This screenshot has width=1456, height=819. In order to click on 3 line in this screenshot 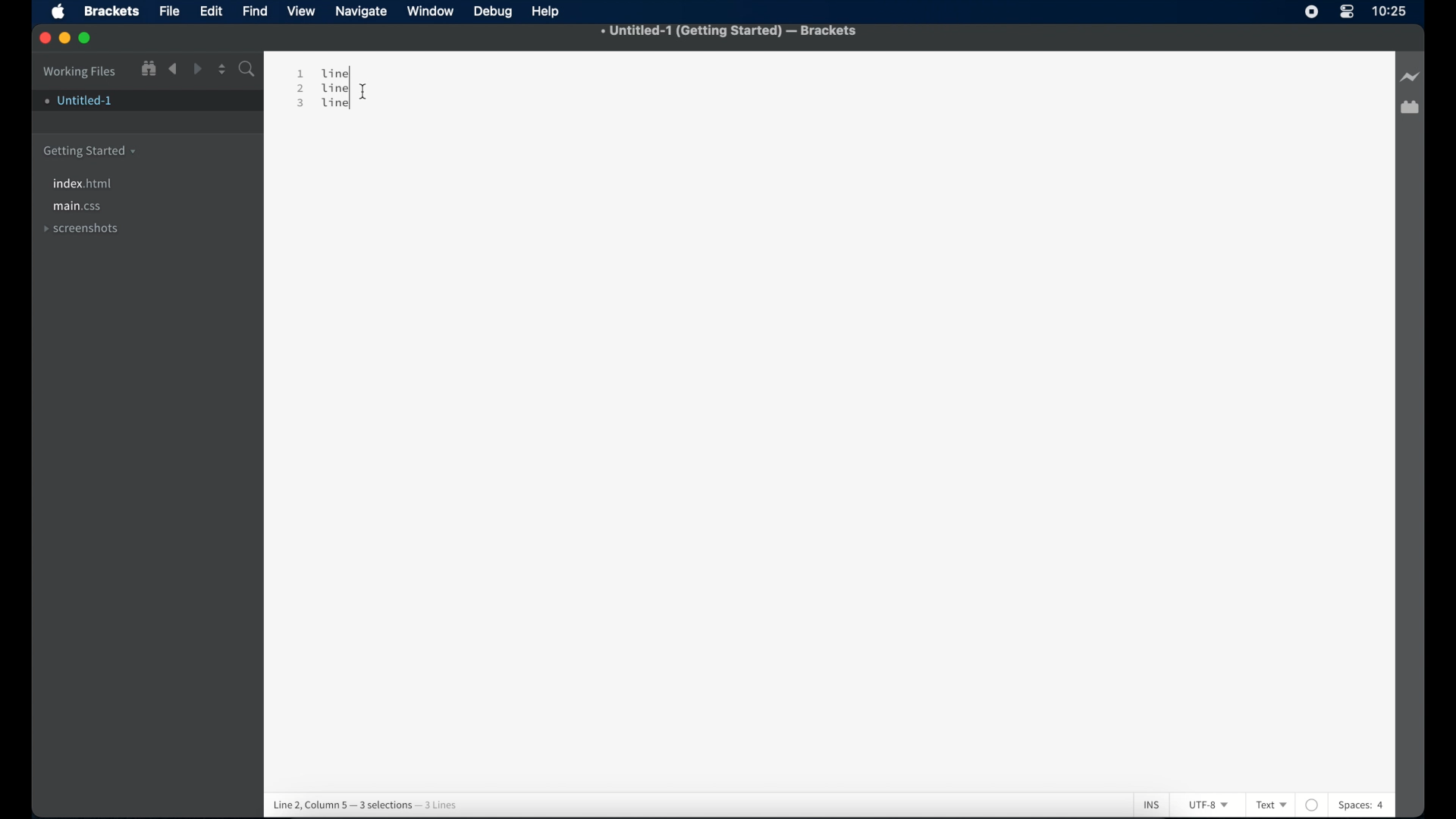, I will do `click(324, 112)`.